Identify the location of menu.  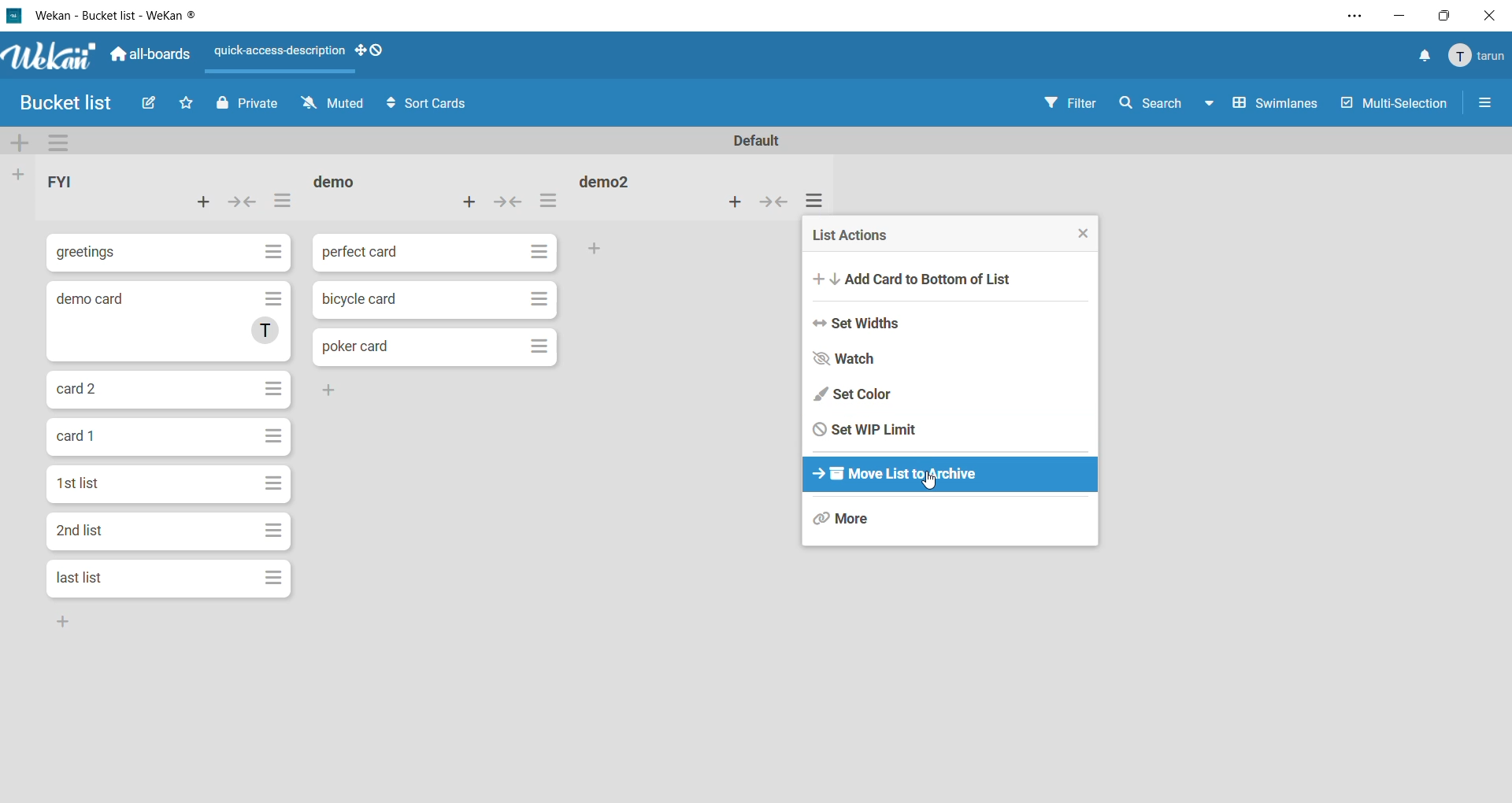
(1477, 56).